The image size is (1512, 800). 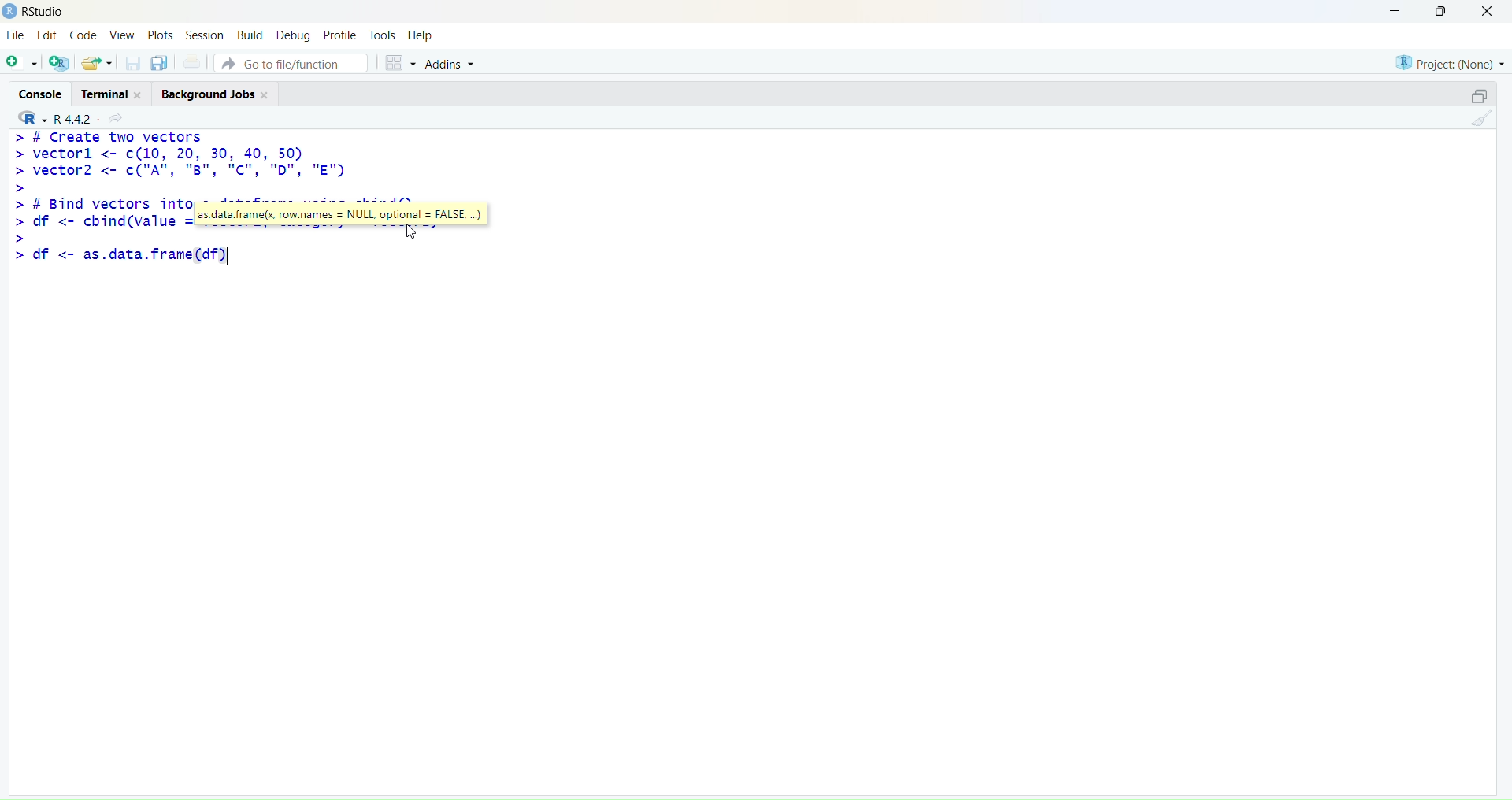 What do you see at coordinates (1395, 12) in the screenshot?
I see `Minimize` at bounding box center [1395, 12].